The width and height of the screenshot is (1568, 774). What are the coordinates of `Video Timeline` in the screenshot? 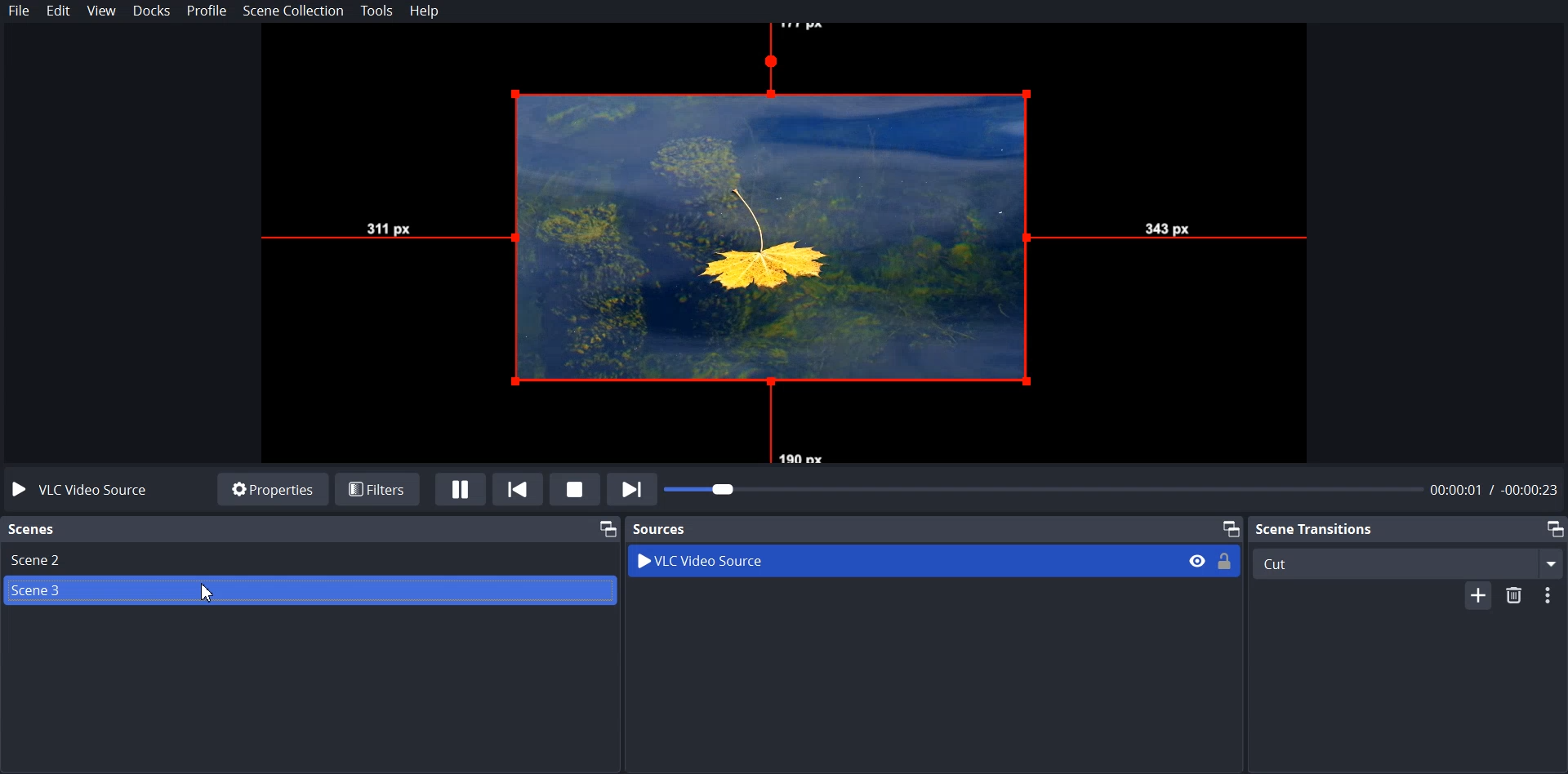 It's located at (1115, 491).